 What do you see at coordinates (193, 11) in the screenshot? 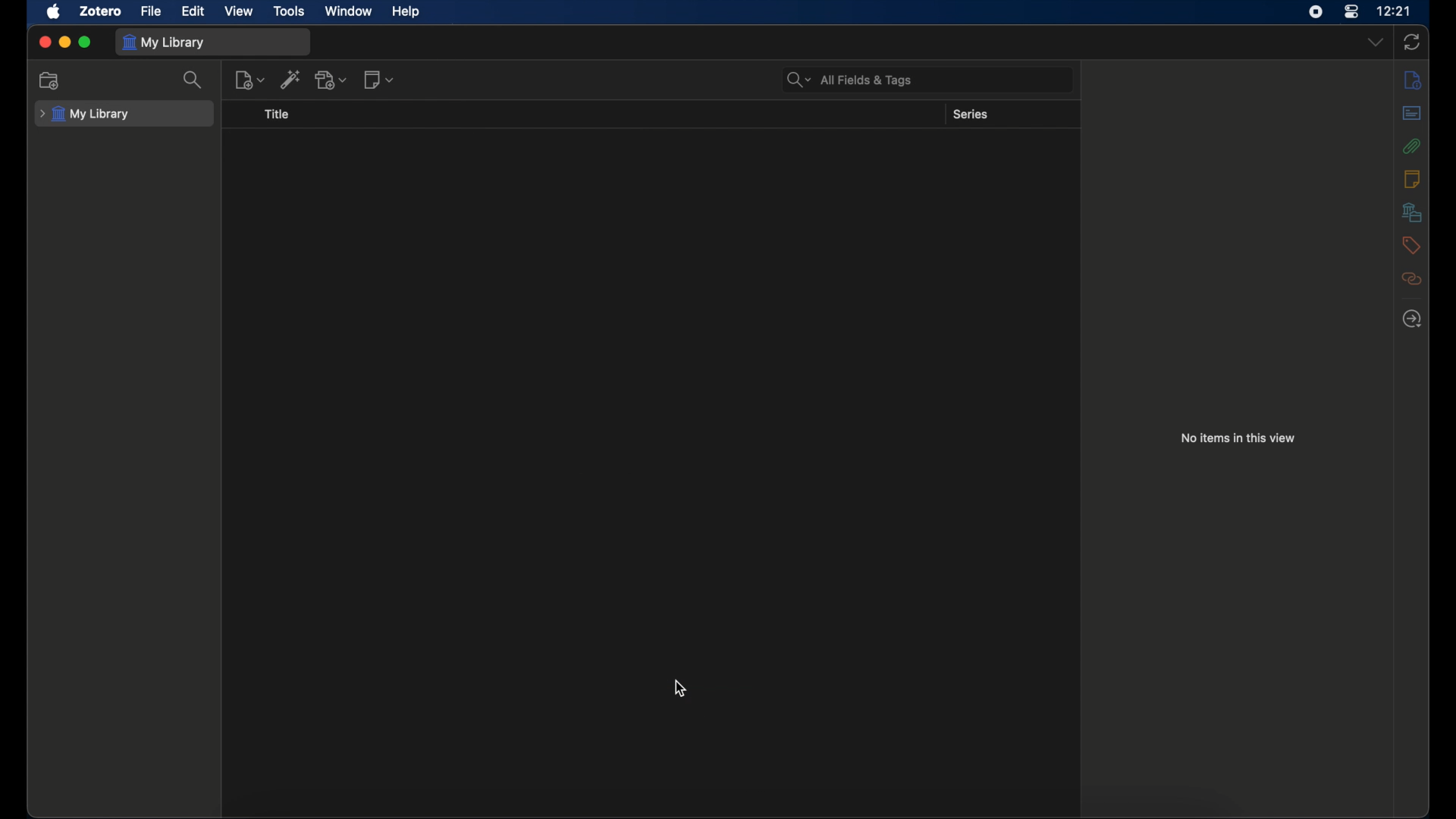
I see `edit` at bounding box center [193, 11].